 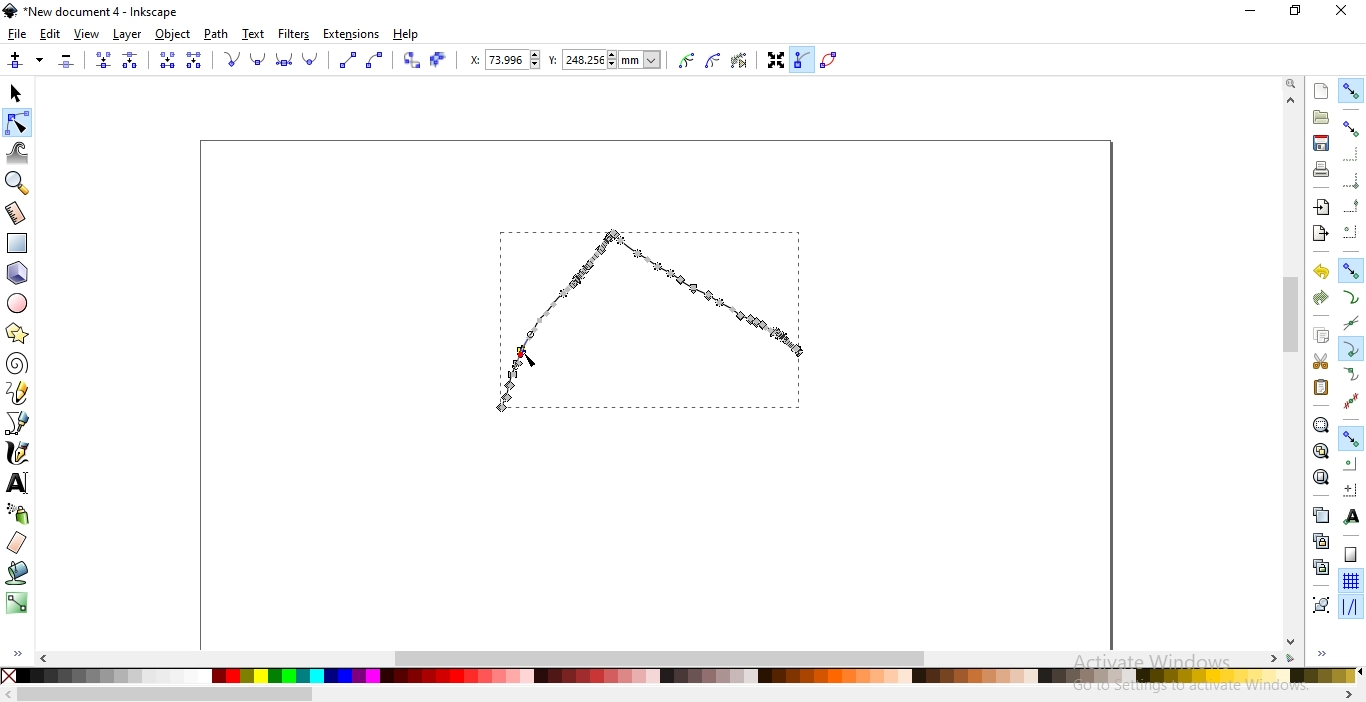 What do you see at coordinates (1296, 11) in the screenshot?
I see `restore down` at bounding box center [1296, 11].